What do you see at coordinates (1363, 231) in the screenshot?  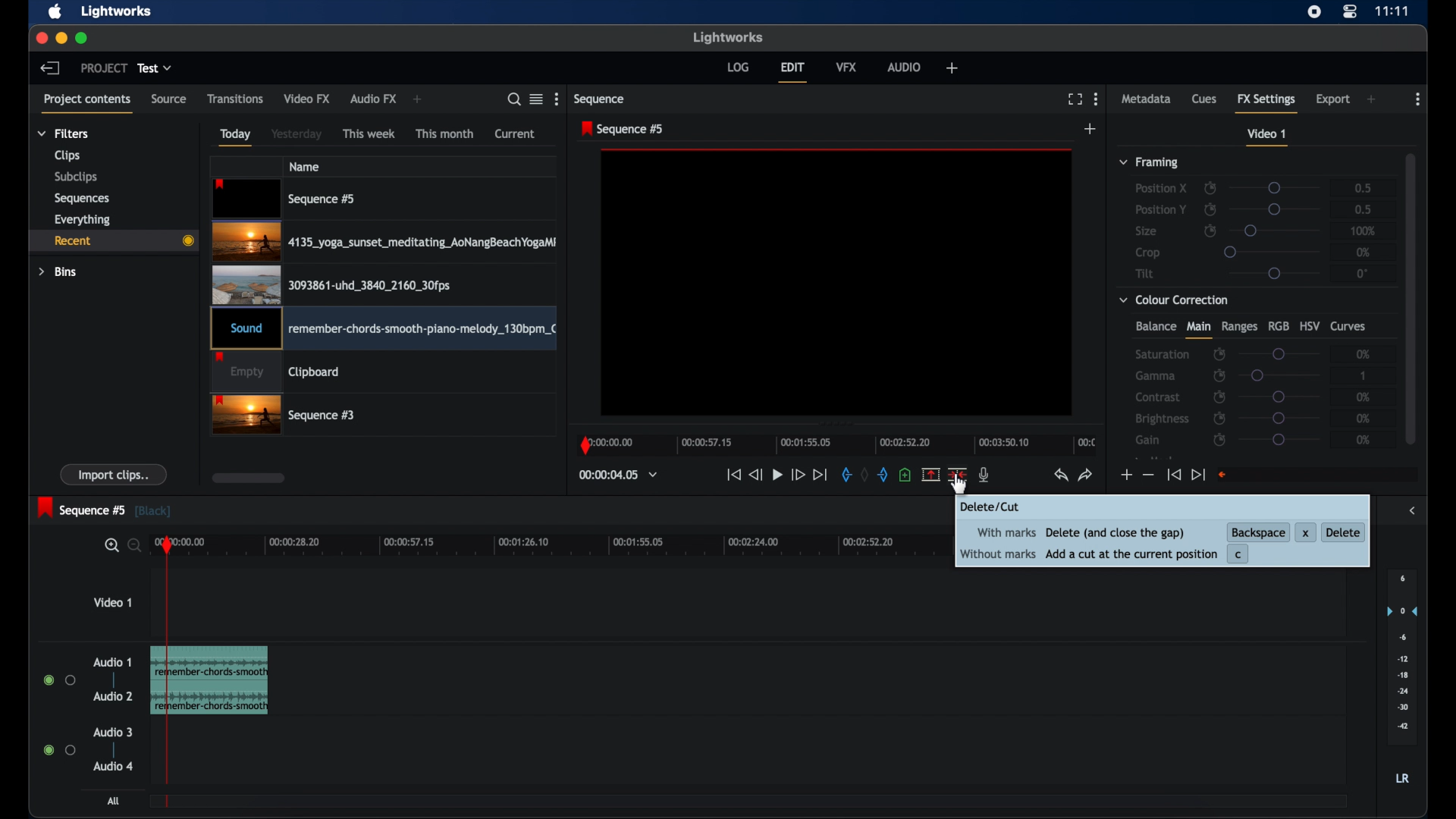 I see `100%` at bounding box center [1363, 231].